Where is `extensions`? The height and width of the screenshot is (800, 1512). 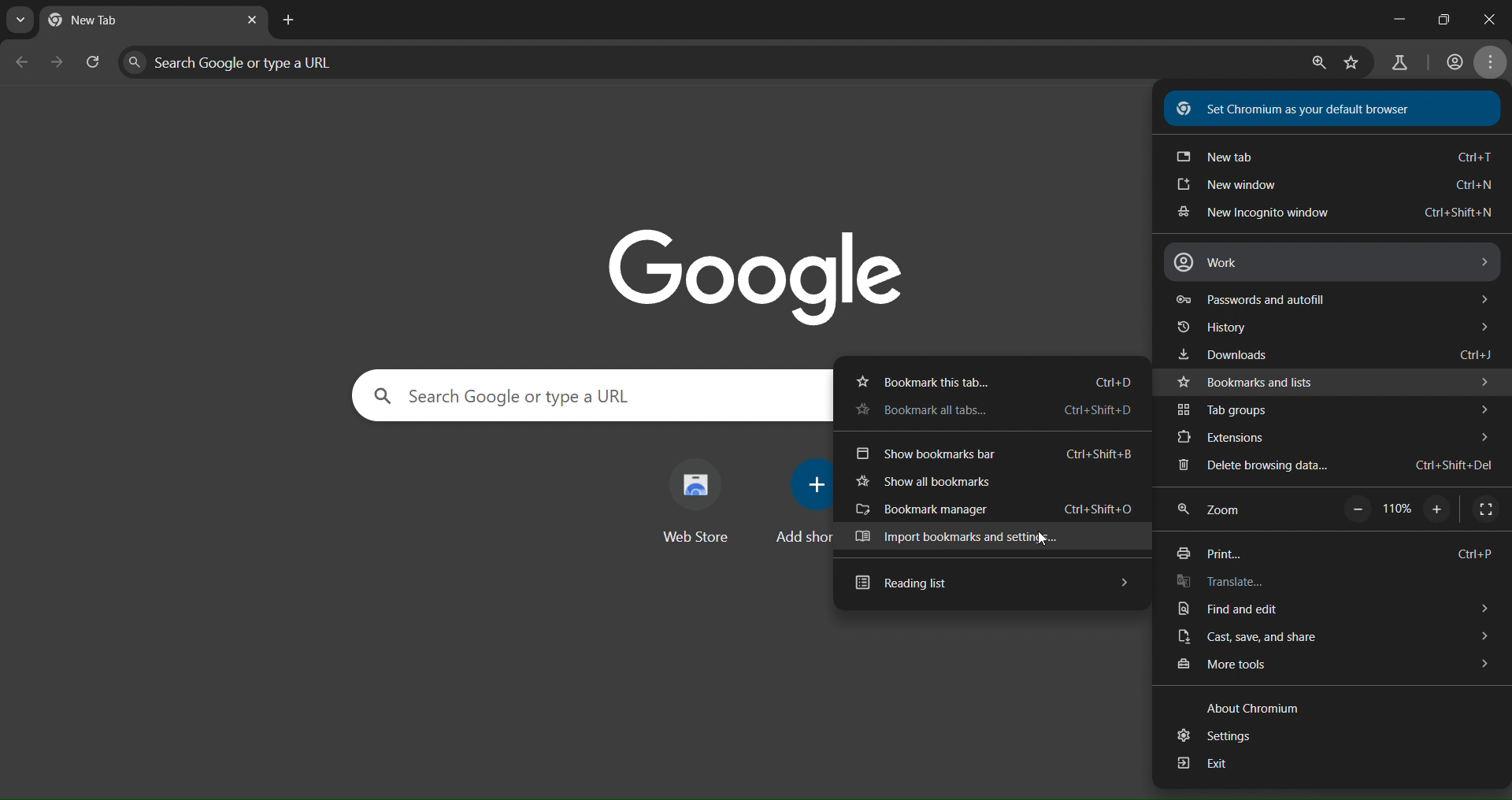 extensions is located at coordinates (1334, 436).